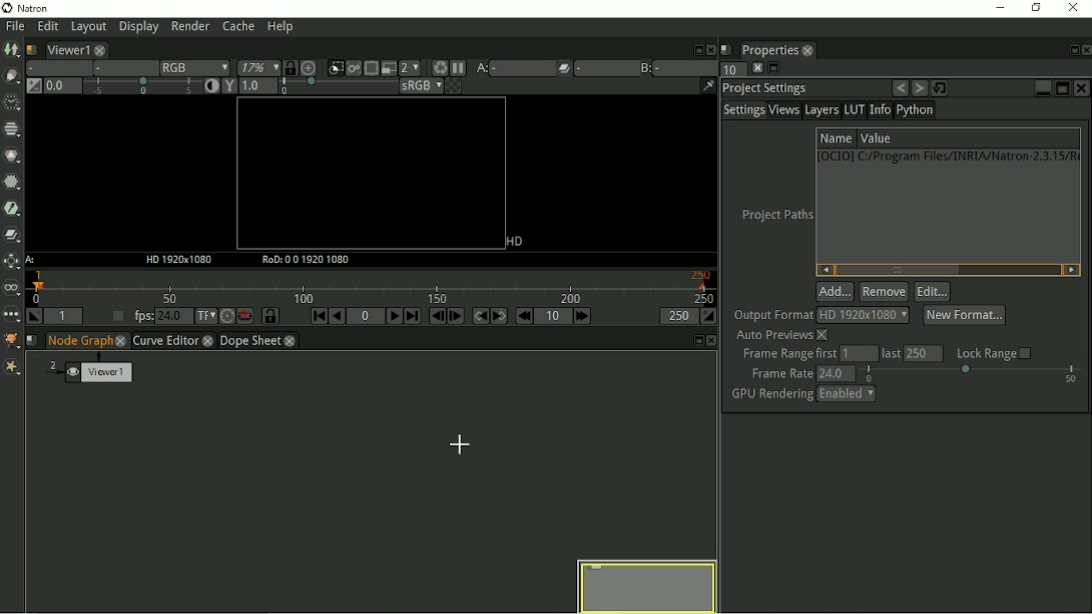 The image size is (1092, 614). Describe the element at coordinates (710, 48) in the screenshot. I see `Close` at that location.